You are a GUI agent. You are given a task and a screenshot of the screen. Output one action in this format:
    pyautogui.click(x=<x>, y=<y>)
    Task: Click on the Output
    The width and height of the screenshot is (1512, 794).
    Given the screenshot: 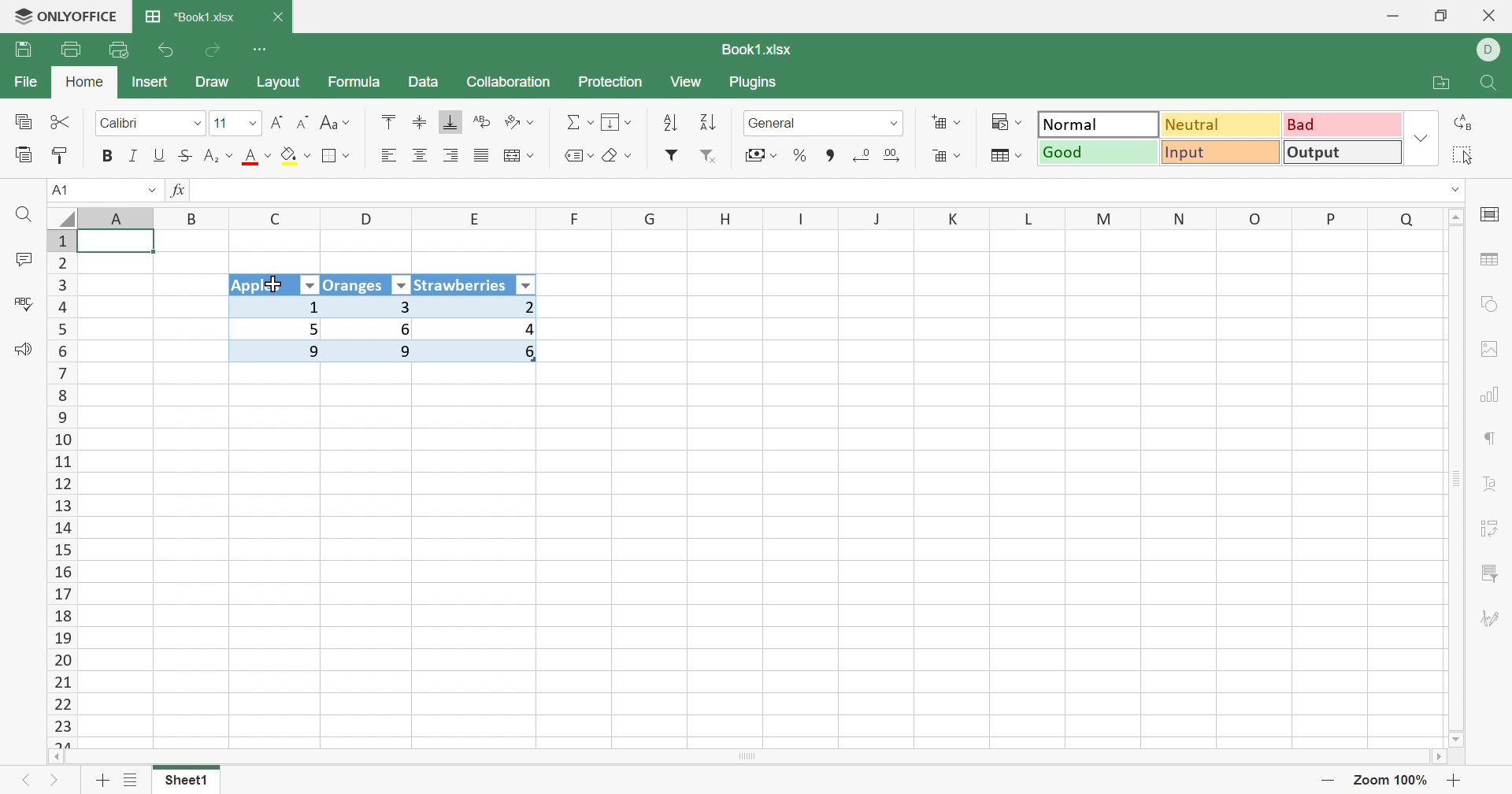 What is the action you would take?
    pyautogui.click(x=1343, y=154)
    